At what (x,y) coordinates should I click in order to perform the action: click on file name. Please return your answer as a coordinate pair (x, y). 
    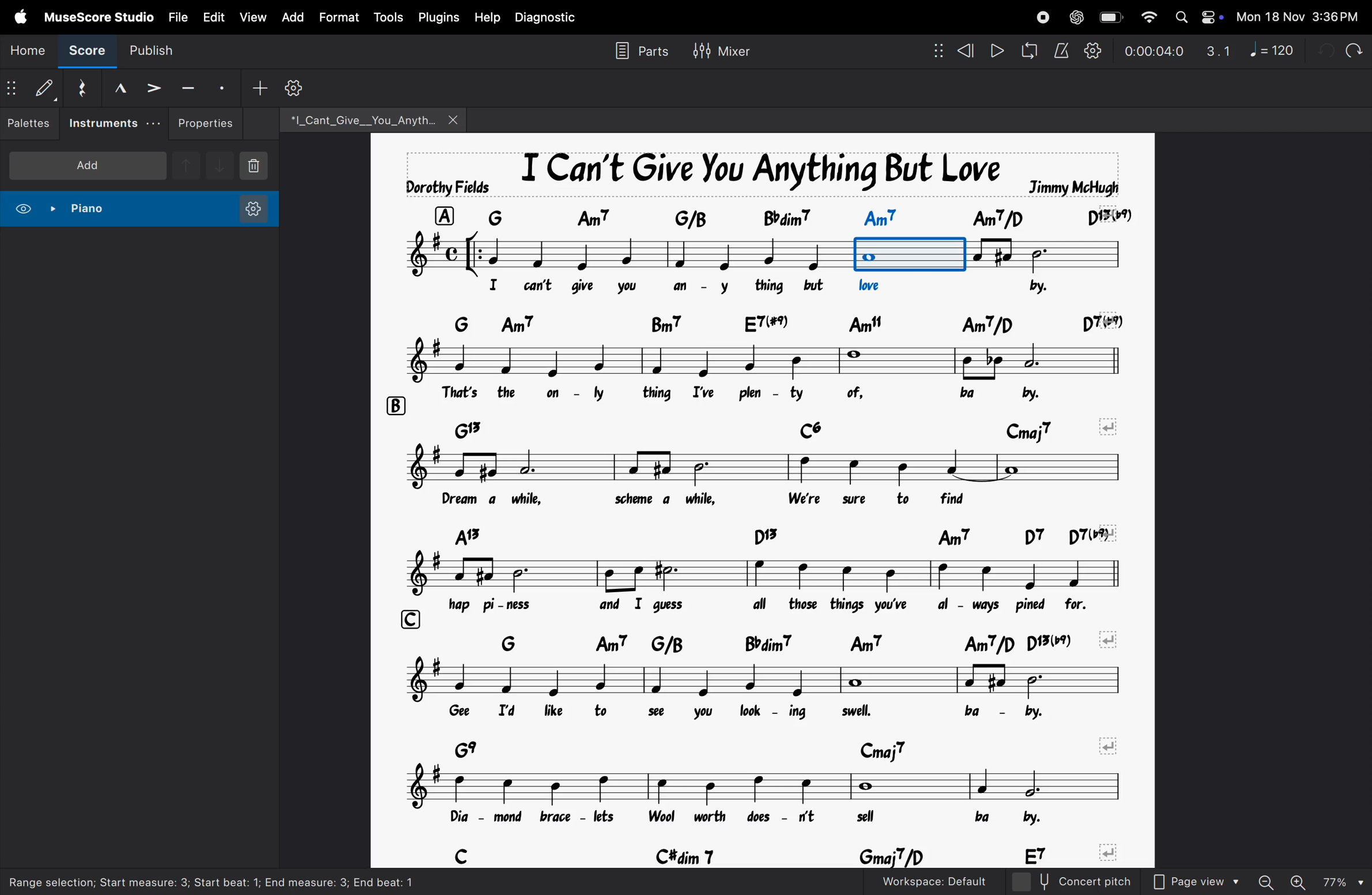
    Looking at the image, I should click on (367, 118).